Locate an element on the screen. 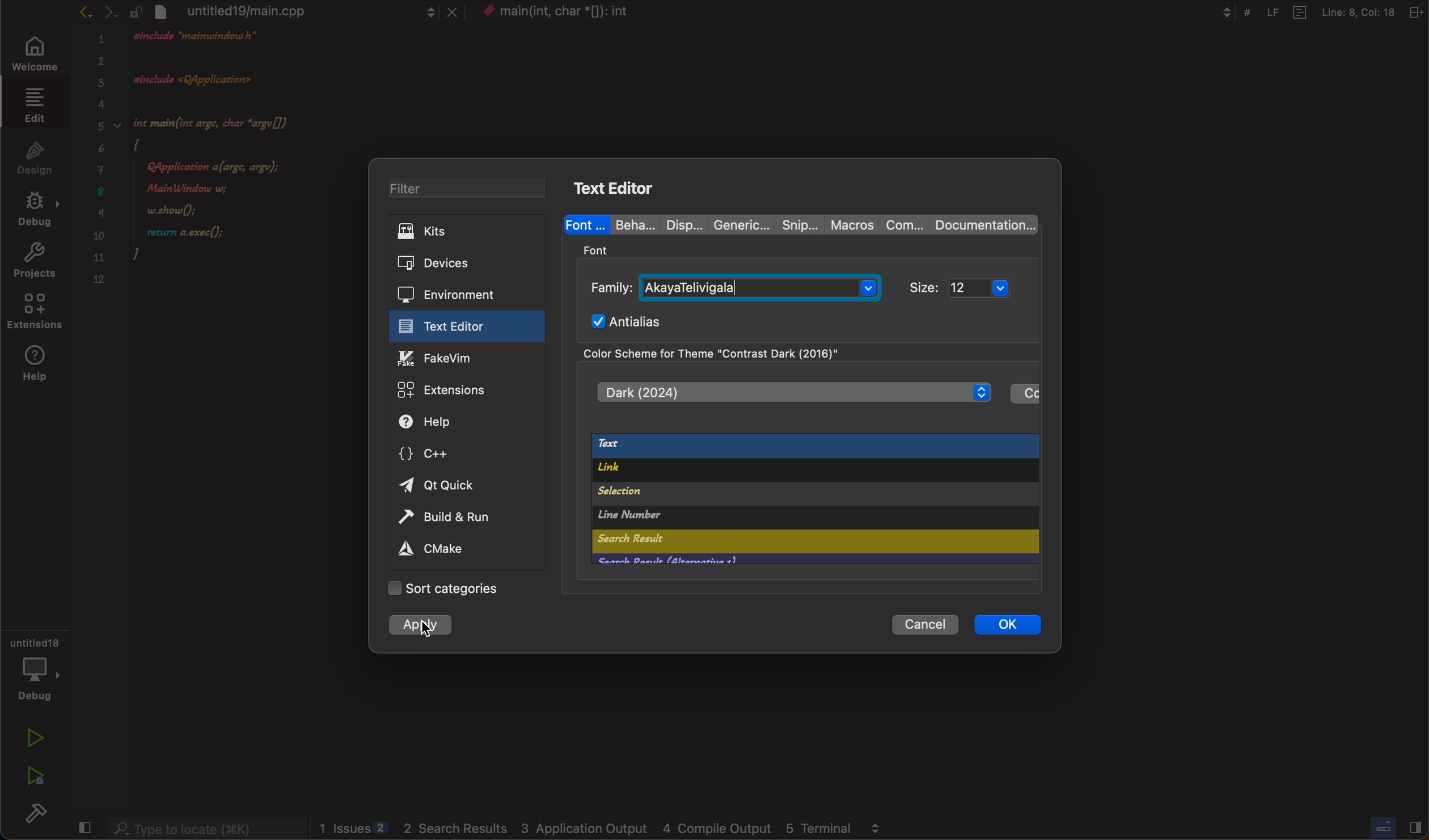  projects is located at coordinates (35, 262).